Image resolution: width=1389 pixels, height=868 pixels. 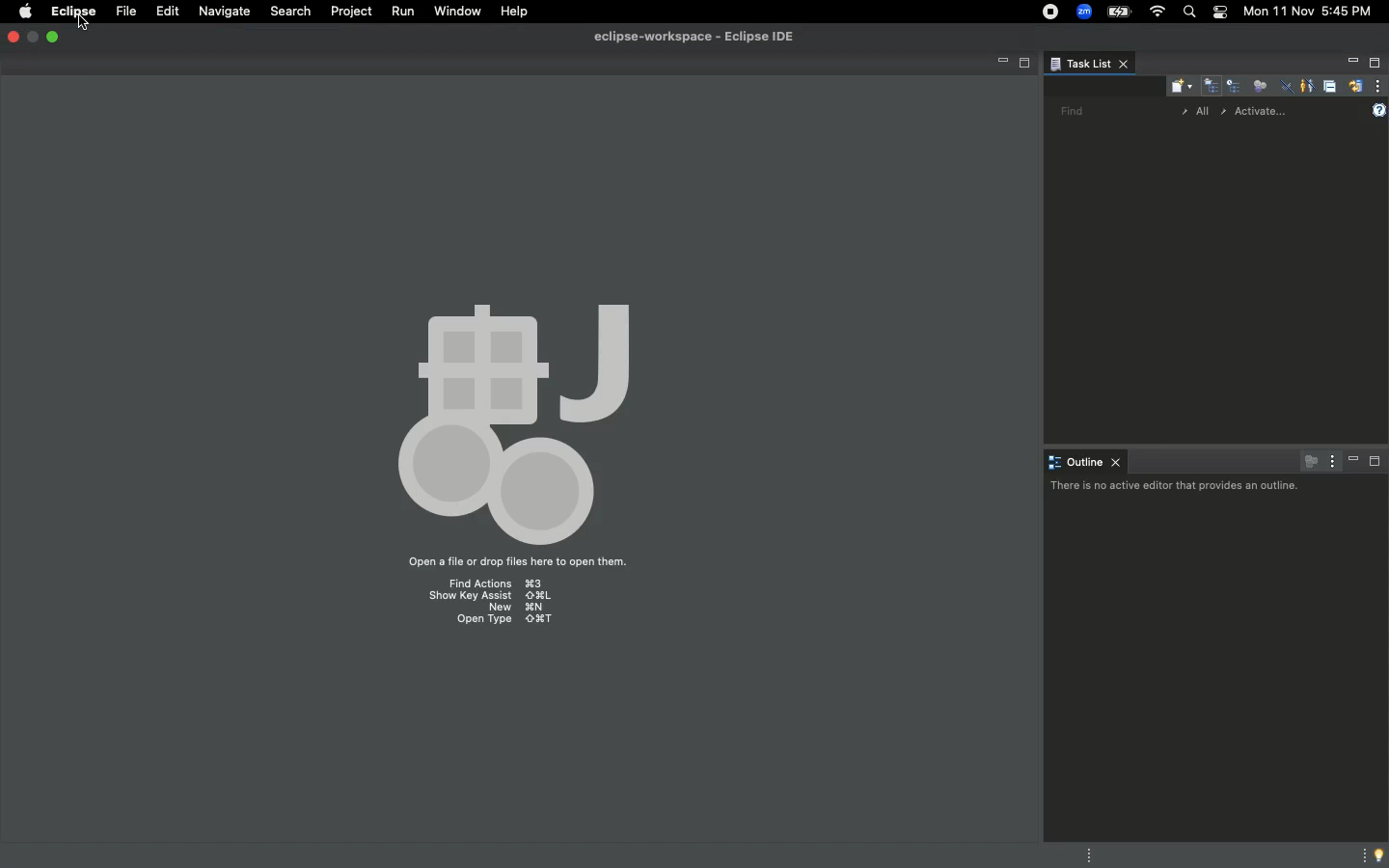 What do you see at coordinates (1047, 12) in the screenshot?
I see `Recording` at bounding box center [1047, 12].